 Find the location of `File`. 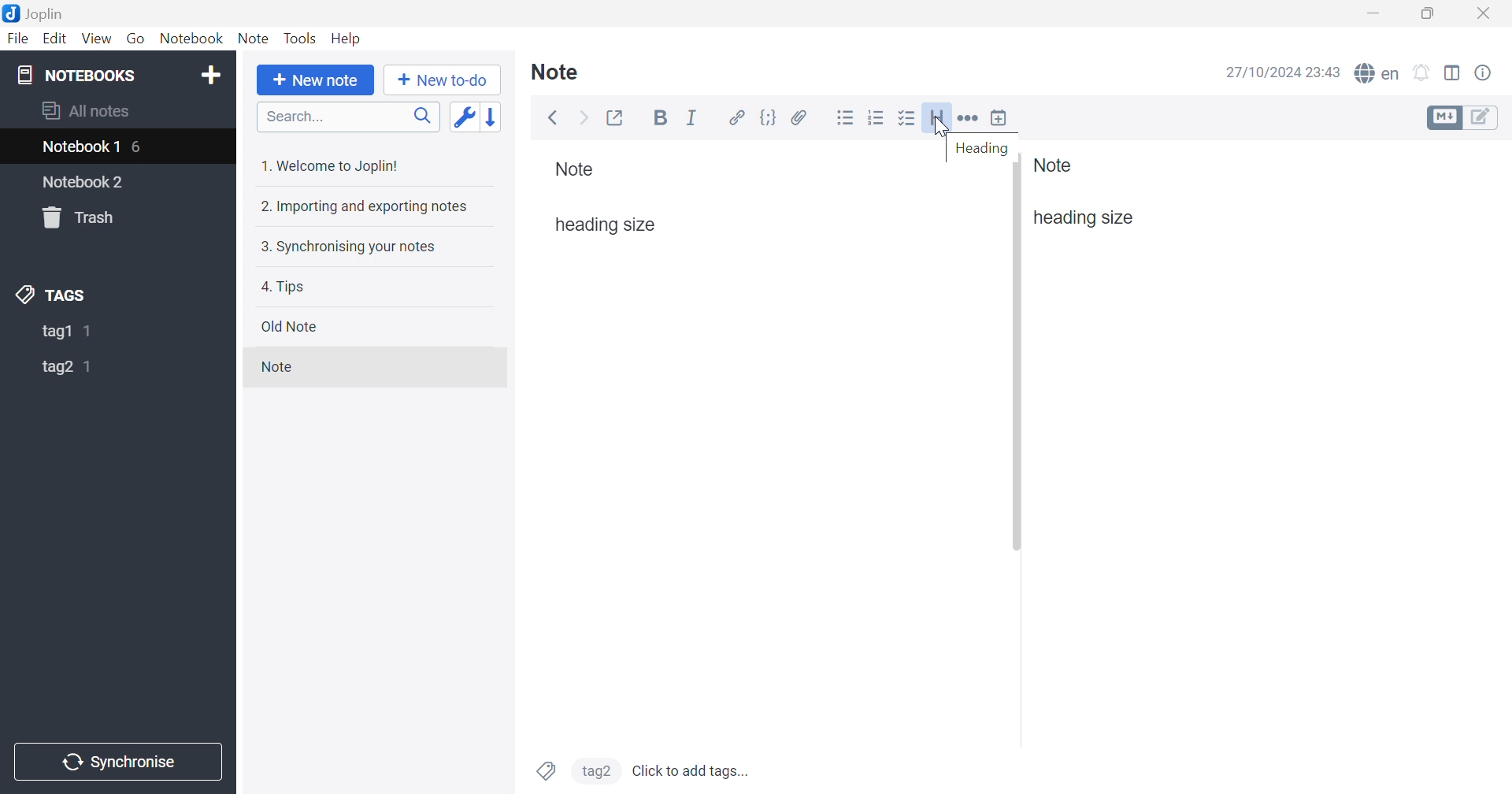

File is located at coordinates (18, 39).